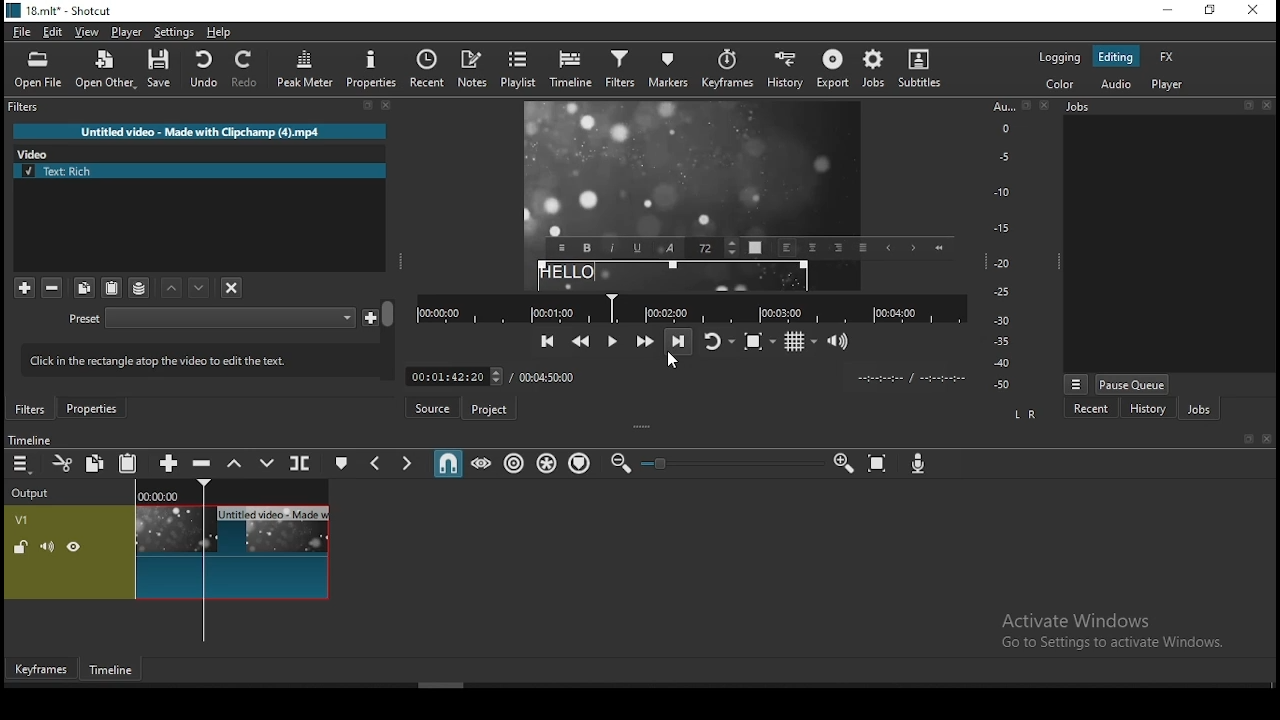  What do you see at coordinates (550, 376) in the screenshot?
I see `total time` at bounding box center [550, 376].